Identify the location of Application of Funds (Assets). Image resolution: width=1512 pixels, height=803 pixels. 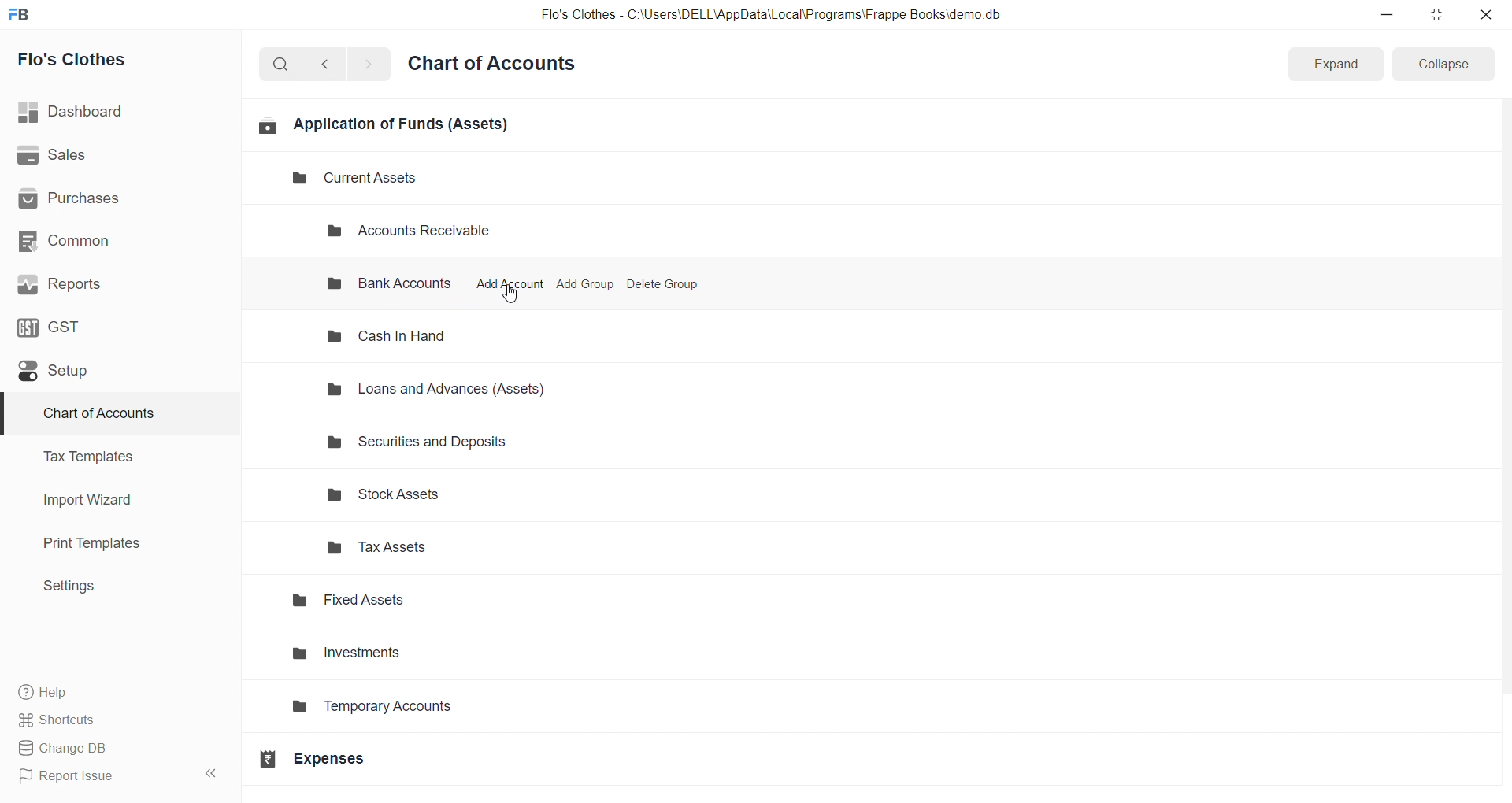
(384, 124).